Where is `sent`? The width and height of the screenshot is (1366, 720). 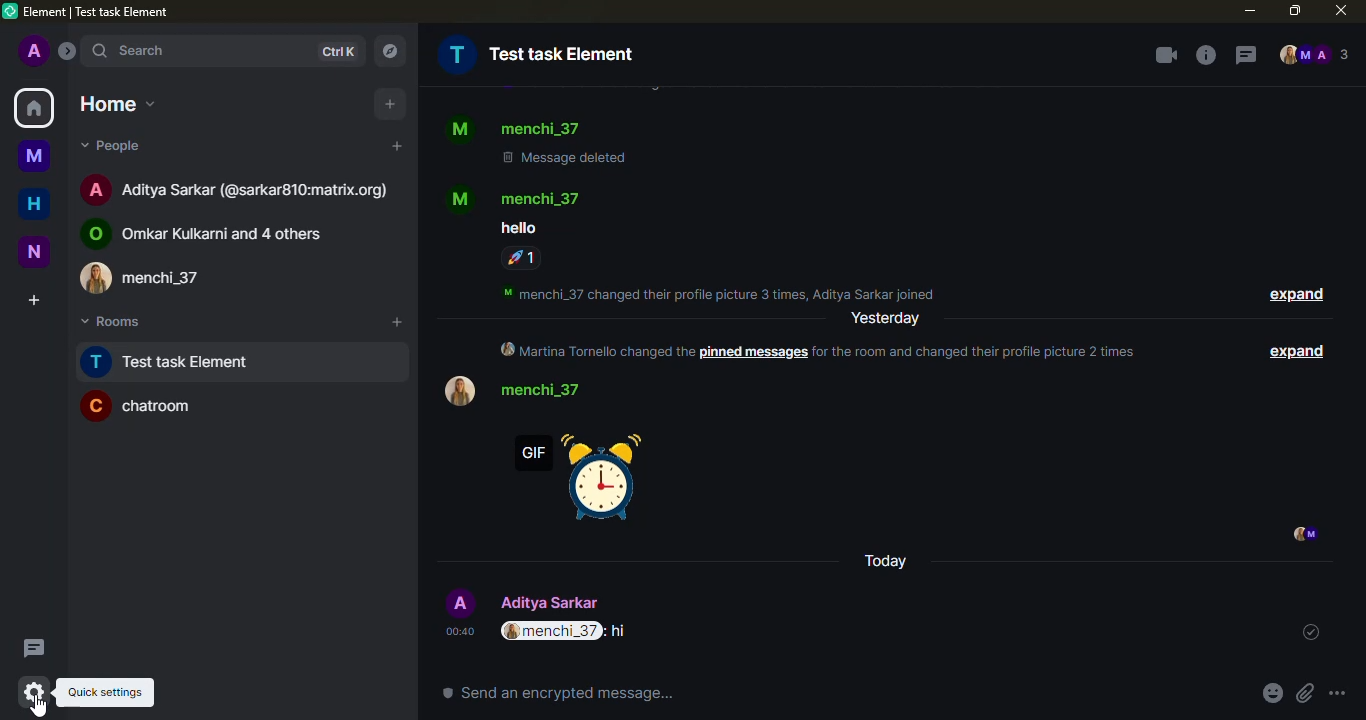 sent is located at coordinates (1306, 632).